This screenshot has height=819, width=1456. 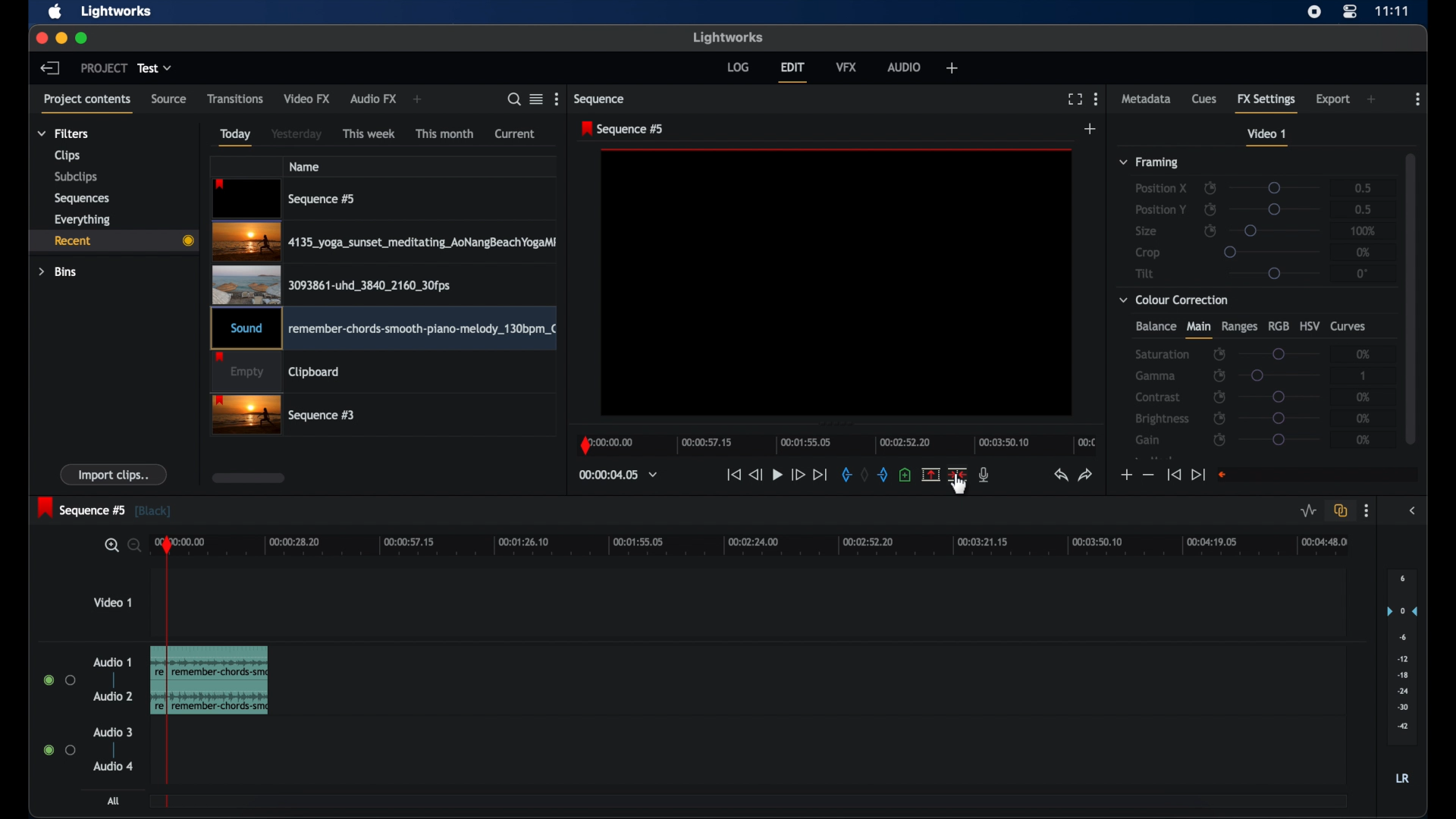 What do you see at coordinates (1279, 440) in the screenshot?
I see `slider` at bounding box center [1279, 440].